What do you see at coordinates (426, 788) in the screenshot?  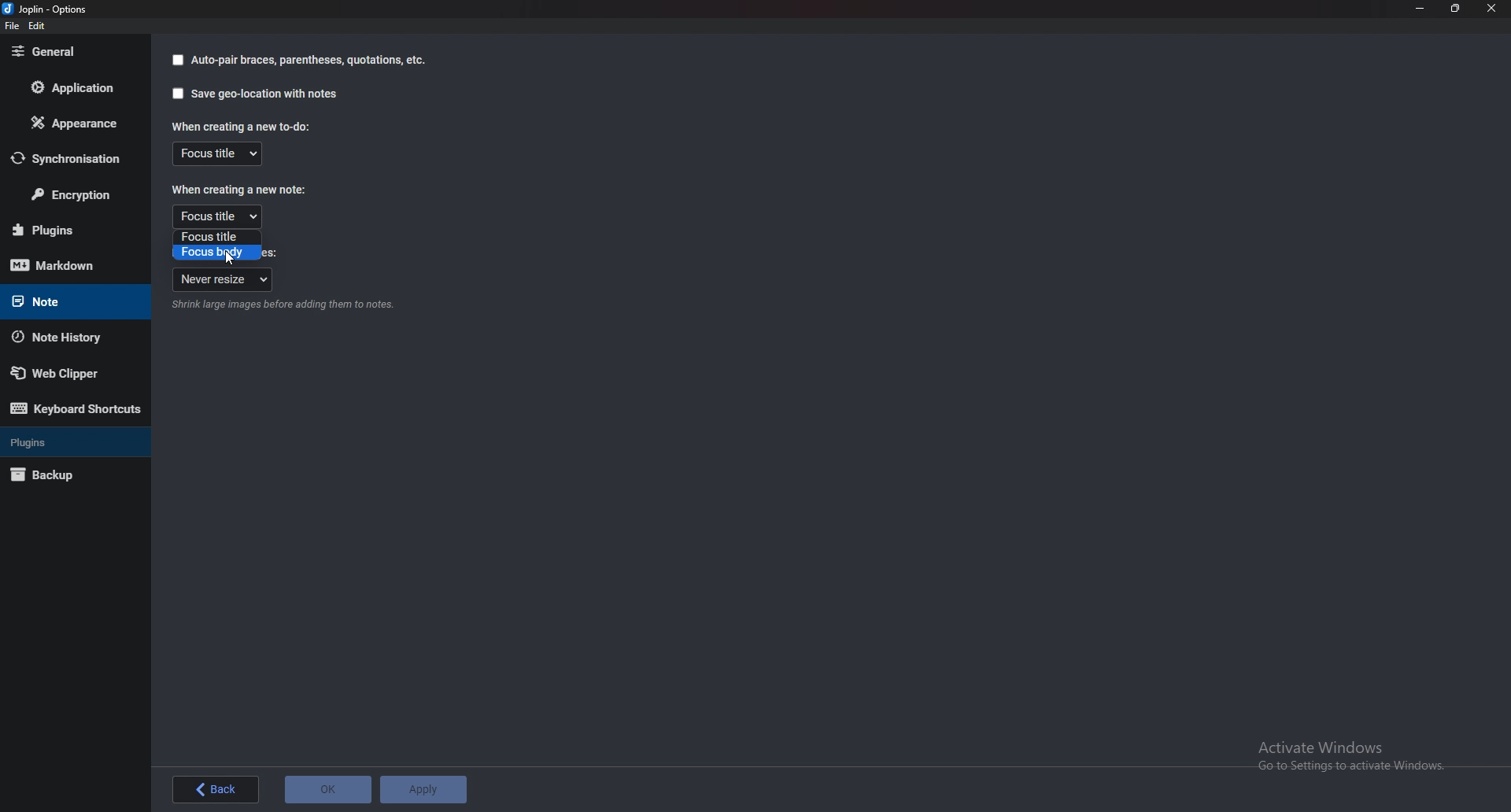 I see `Apply` at bounding box center [426, 788].